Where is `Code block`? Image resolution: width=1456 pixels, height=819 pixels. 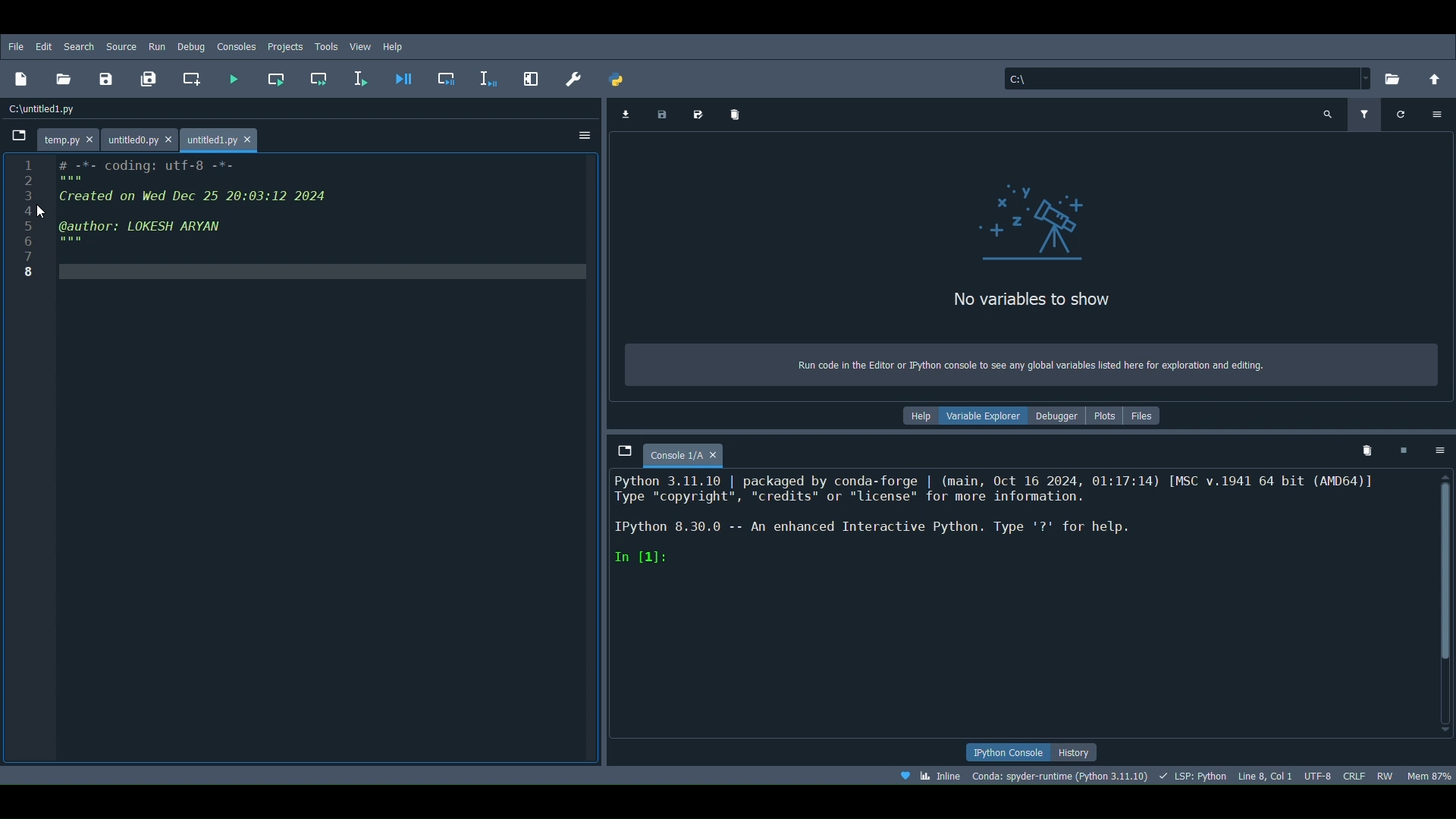 Code block is located at coordinates (304, 460).